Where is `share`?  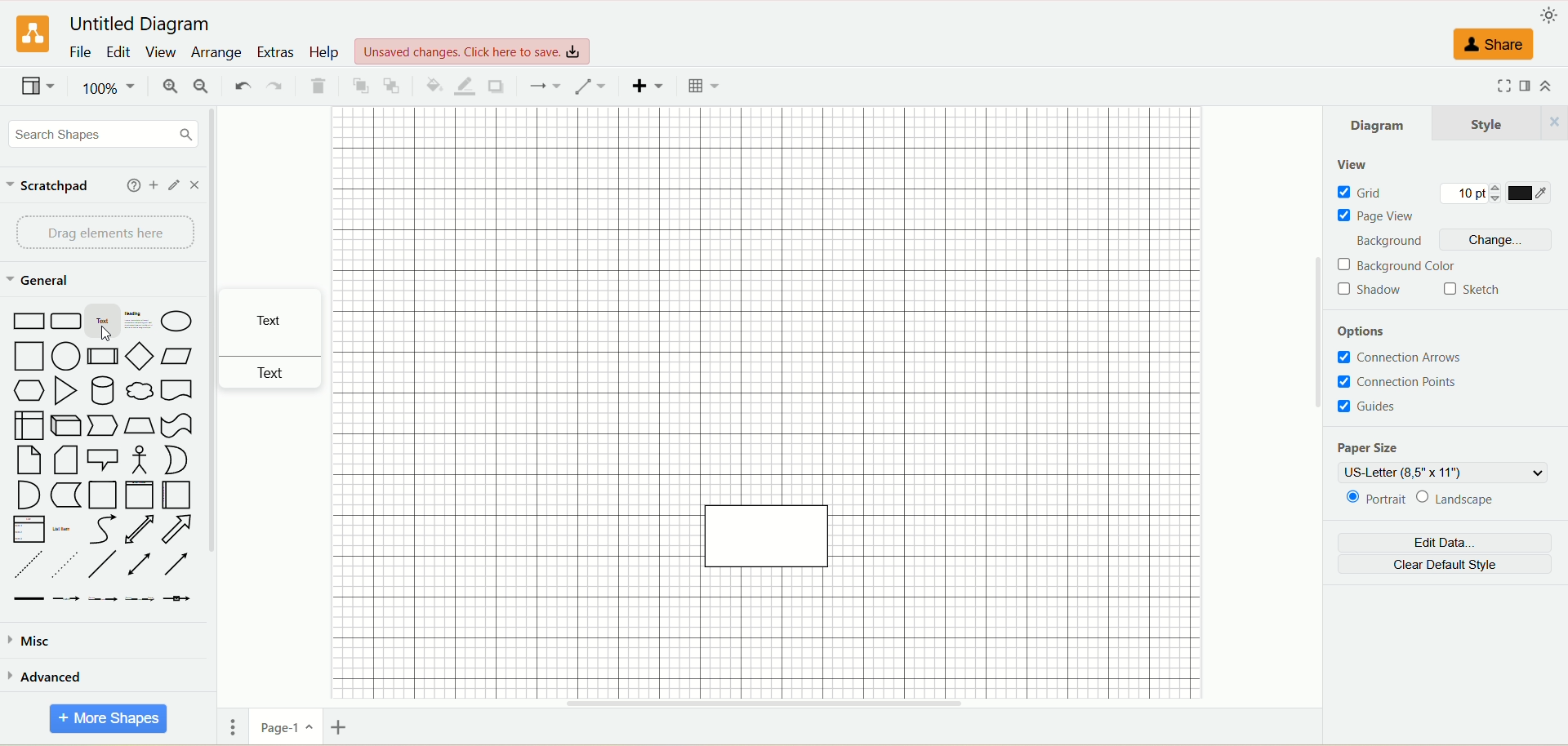 share is located at coordinates (1490, 49).